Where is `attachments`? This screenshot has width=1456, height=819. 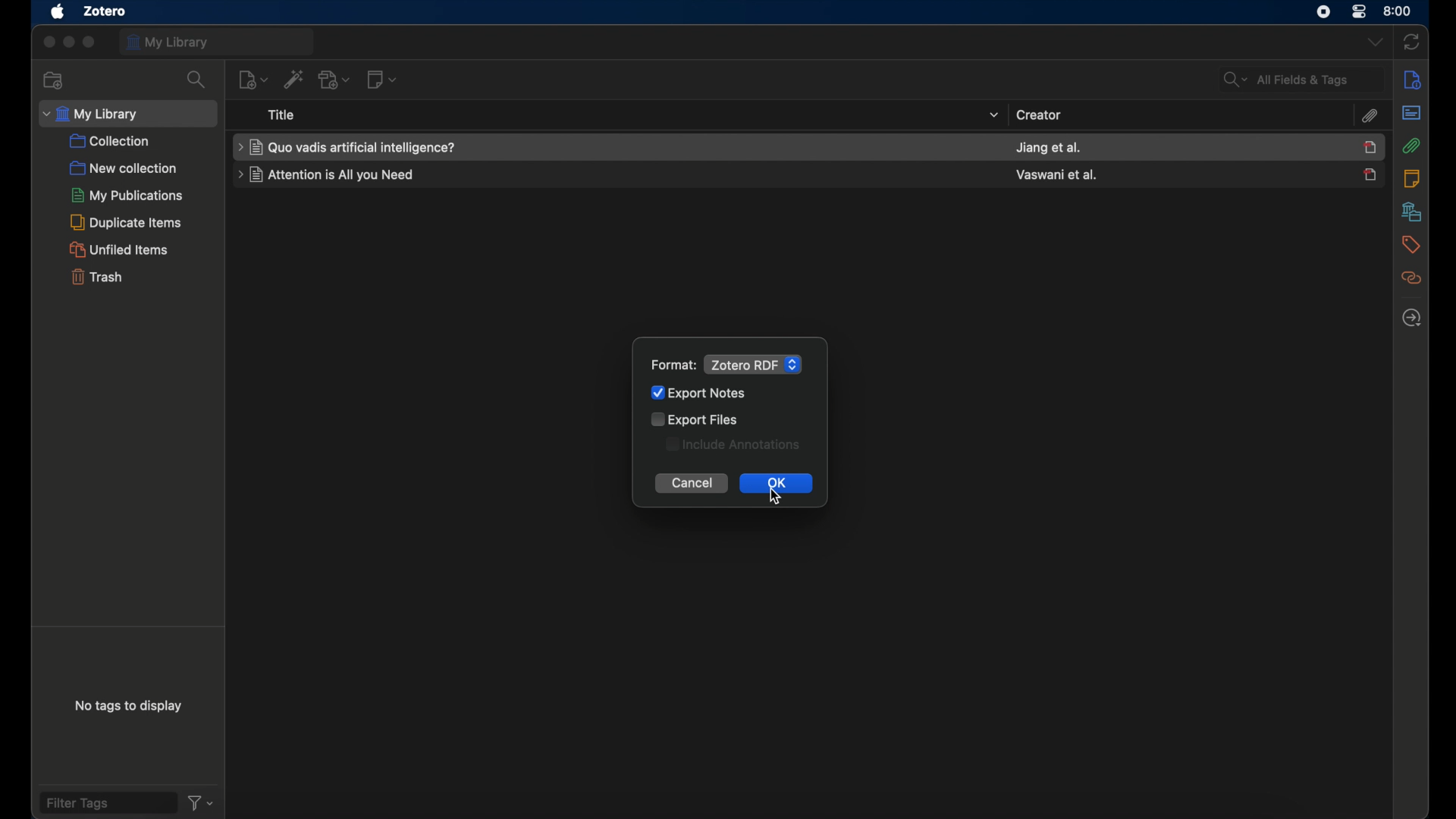
attachments is located at coordinates (1369, 117).